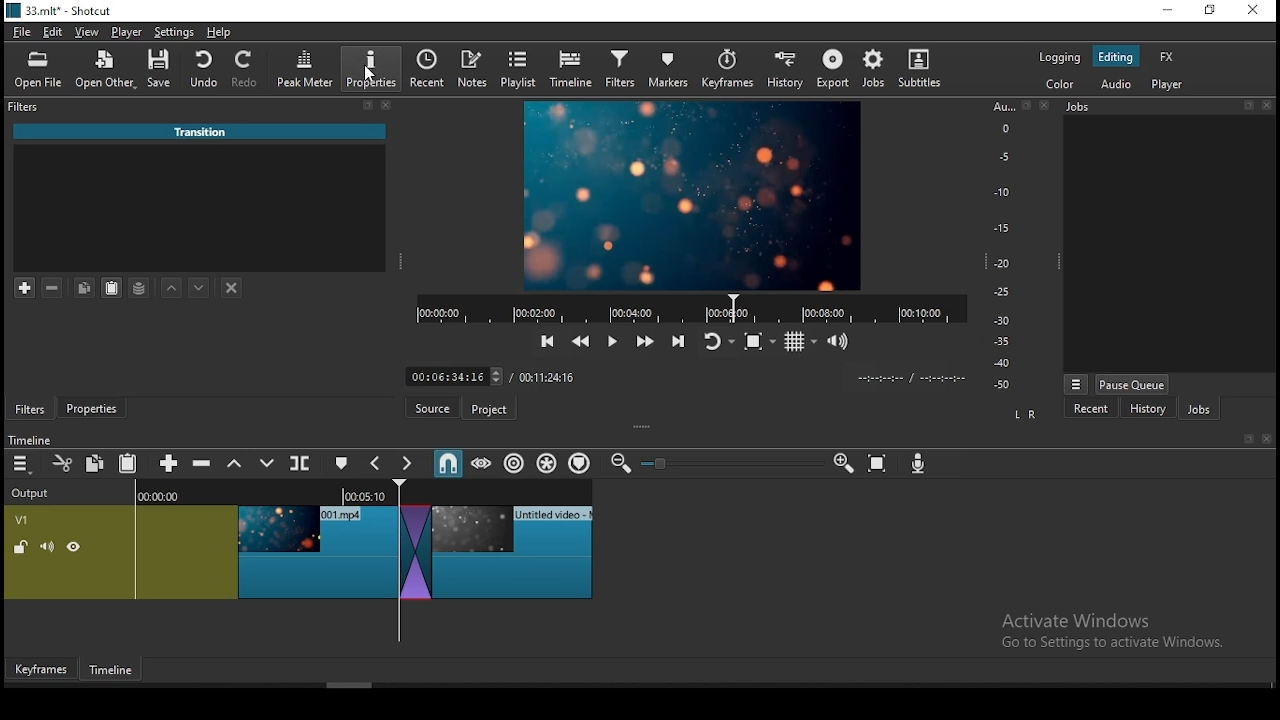  I want to click on , so click(1247, 440).